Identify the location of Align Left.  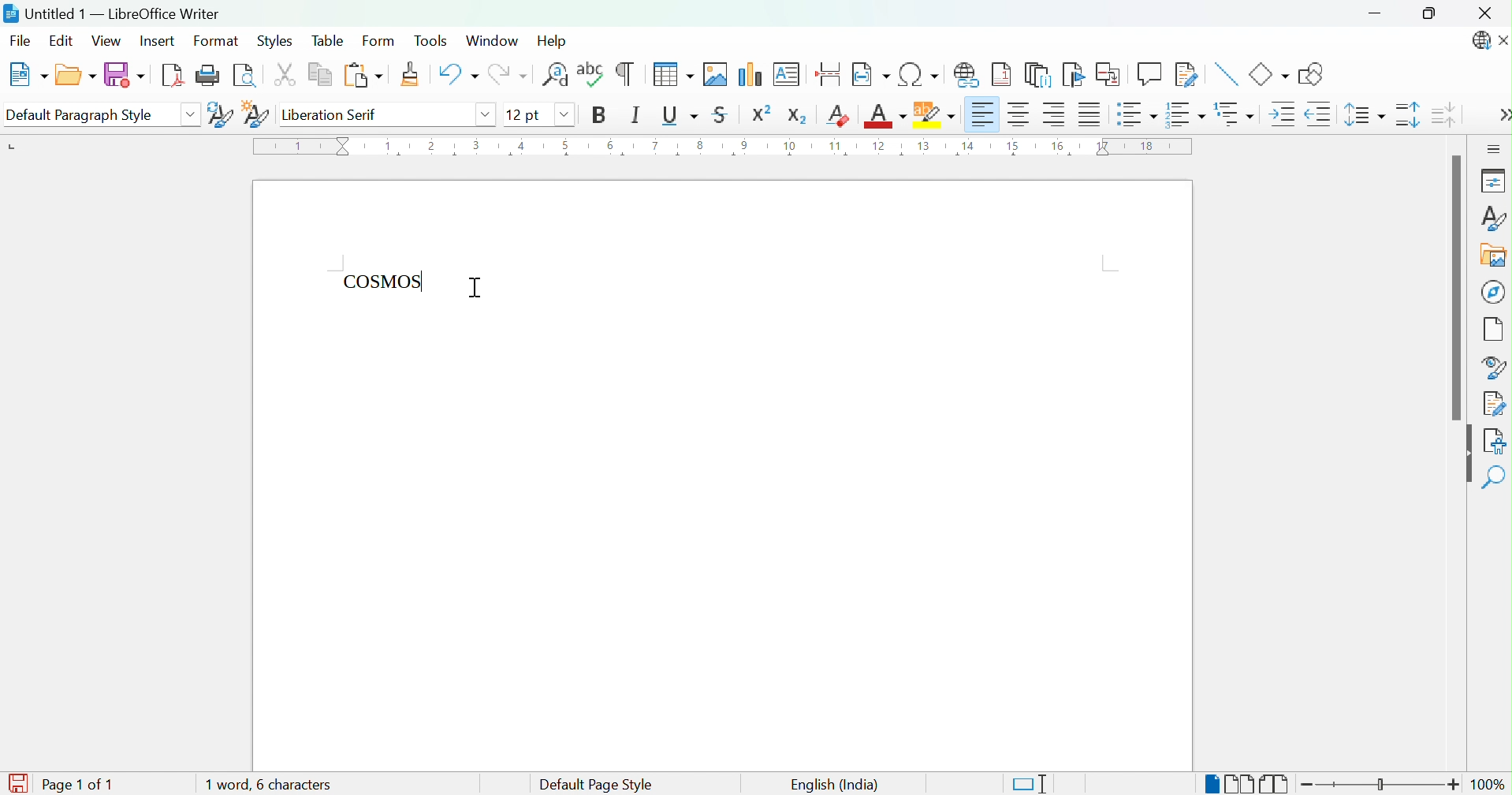
(982, 114).